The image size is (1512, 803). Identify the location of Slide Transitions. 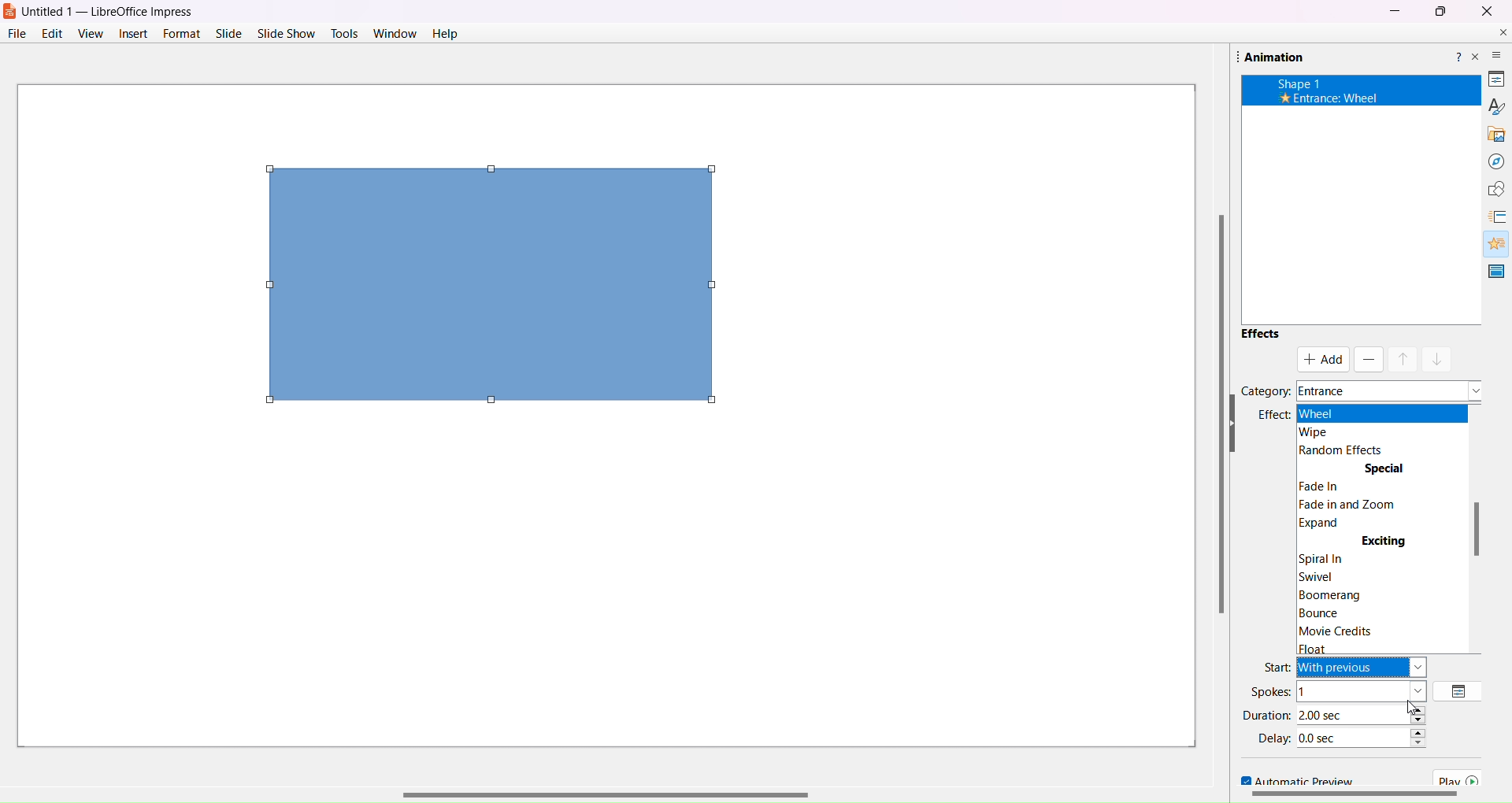
(1495, 217).